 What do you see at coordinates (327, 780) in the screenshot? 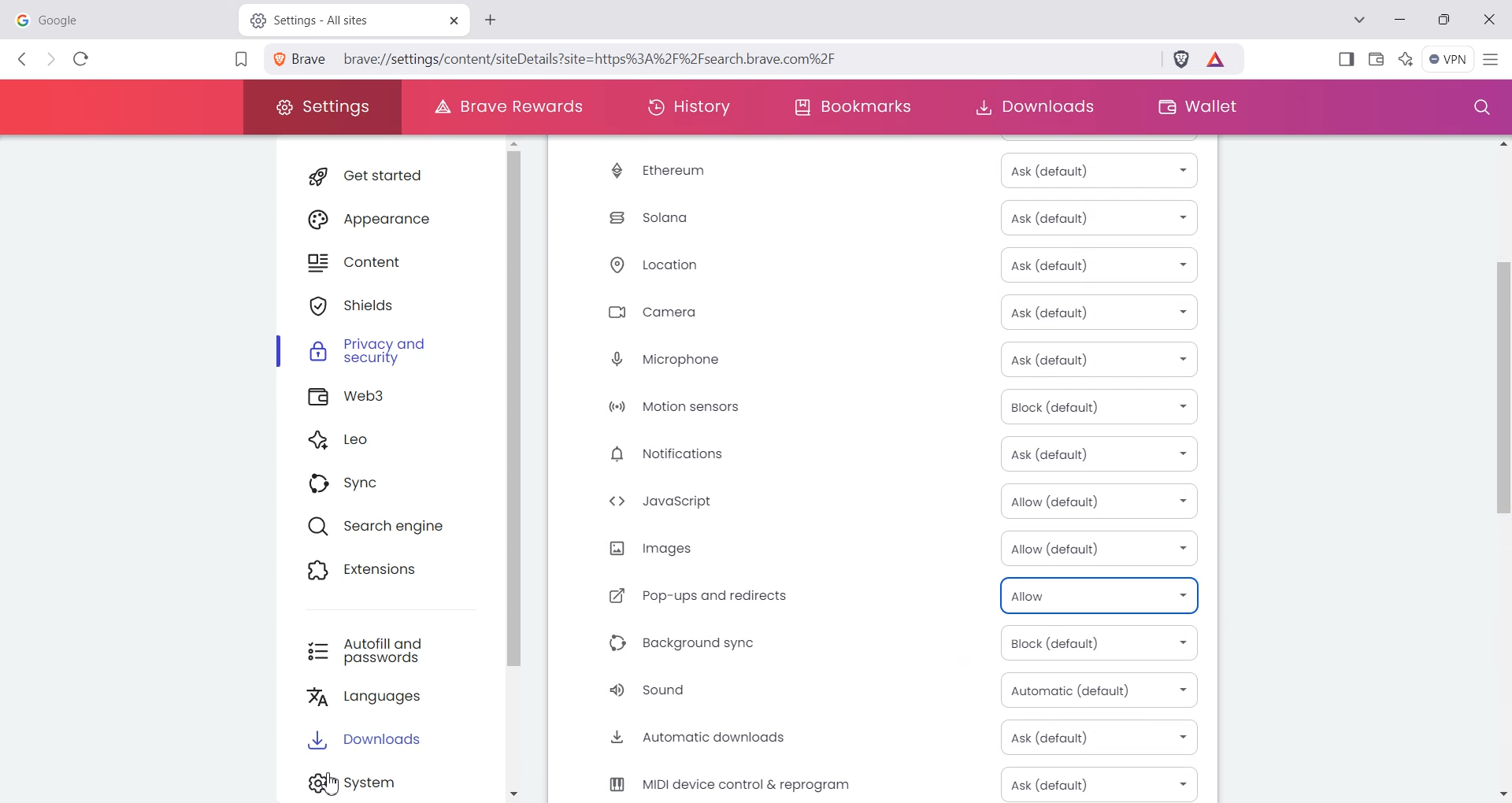
I see `Cursor` at bounding box center [327, 780].